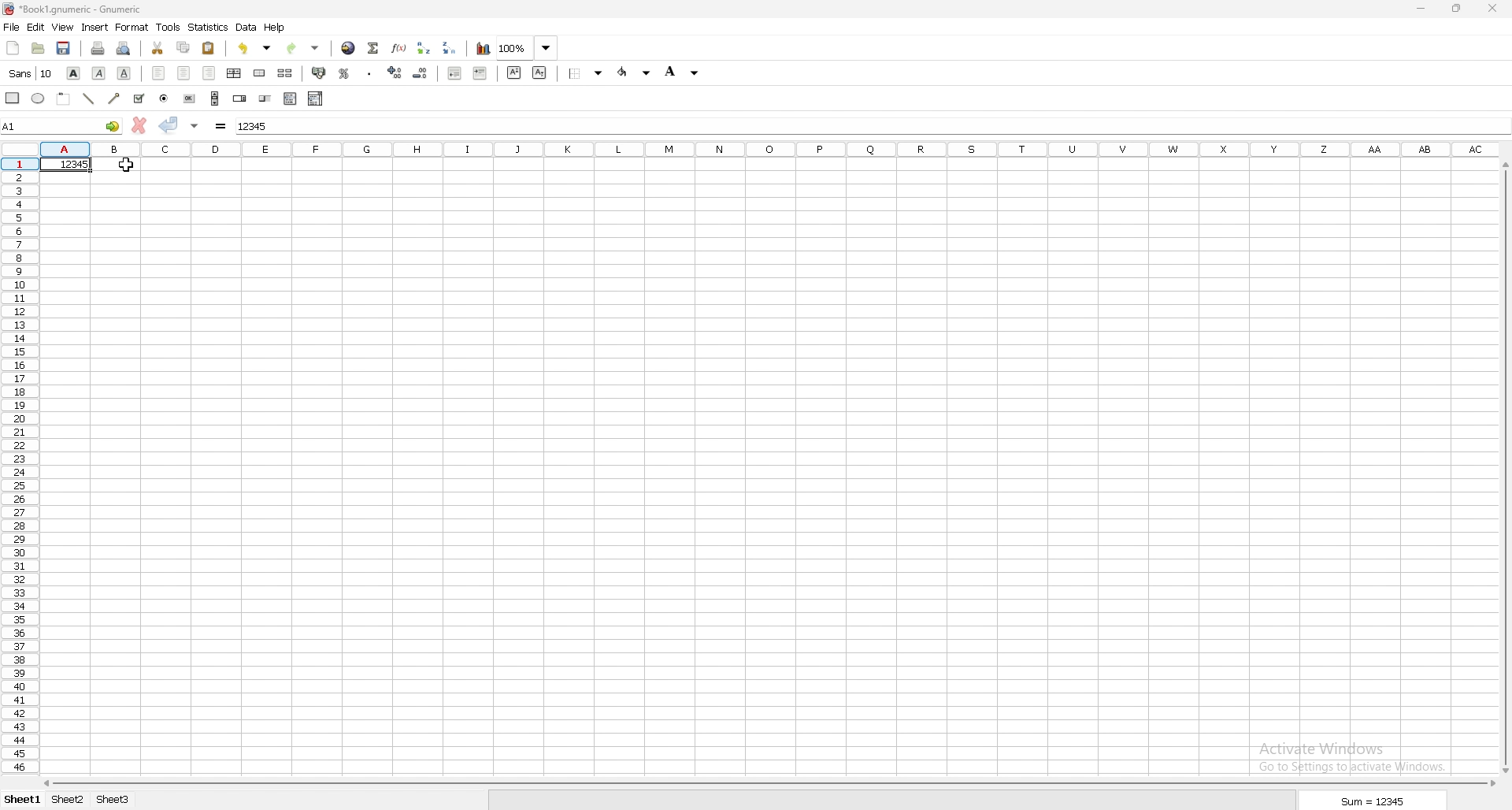 The height and width of the screenshot is (810, 1512). Describe the element at coordinates (208, 27) in the screenshot. I see `statistics` at that location.